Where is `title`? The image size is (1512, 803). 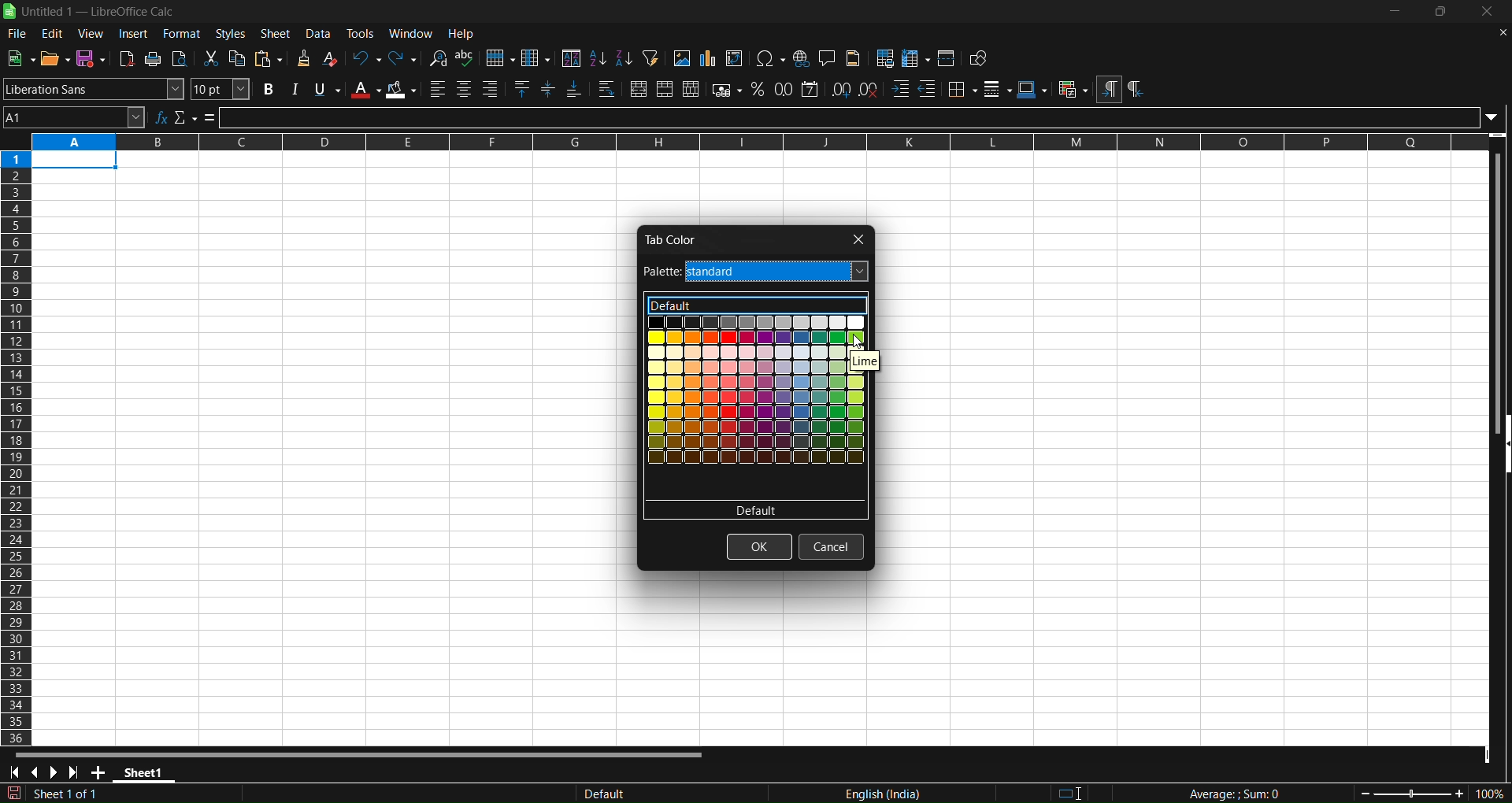 title is located at coordinates (98, 12).